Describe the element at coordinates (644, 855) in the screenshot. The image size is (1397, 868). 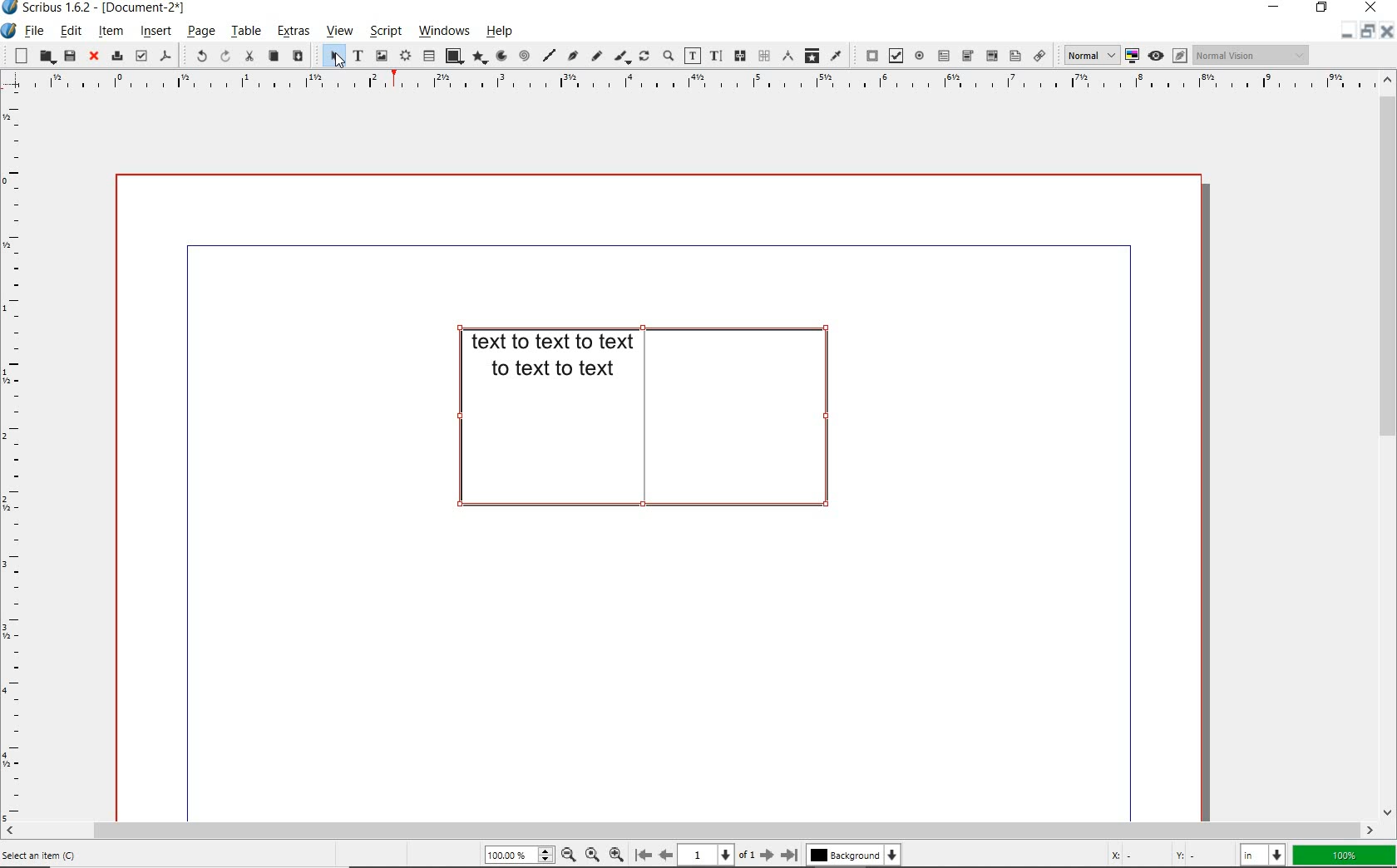
I see `go to first page` at that location.